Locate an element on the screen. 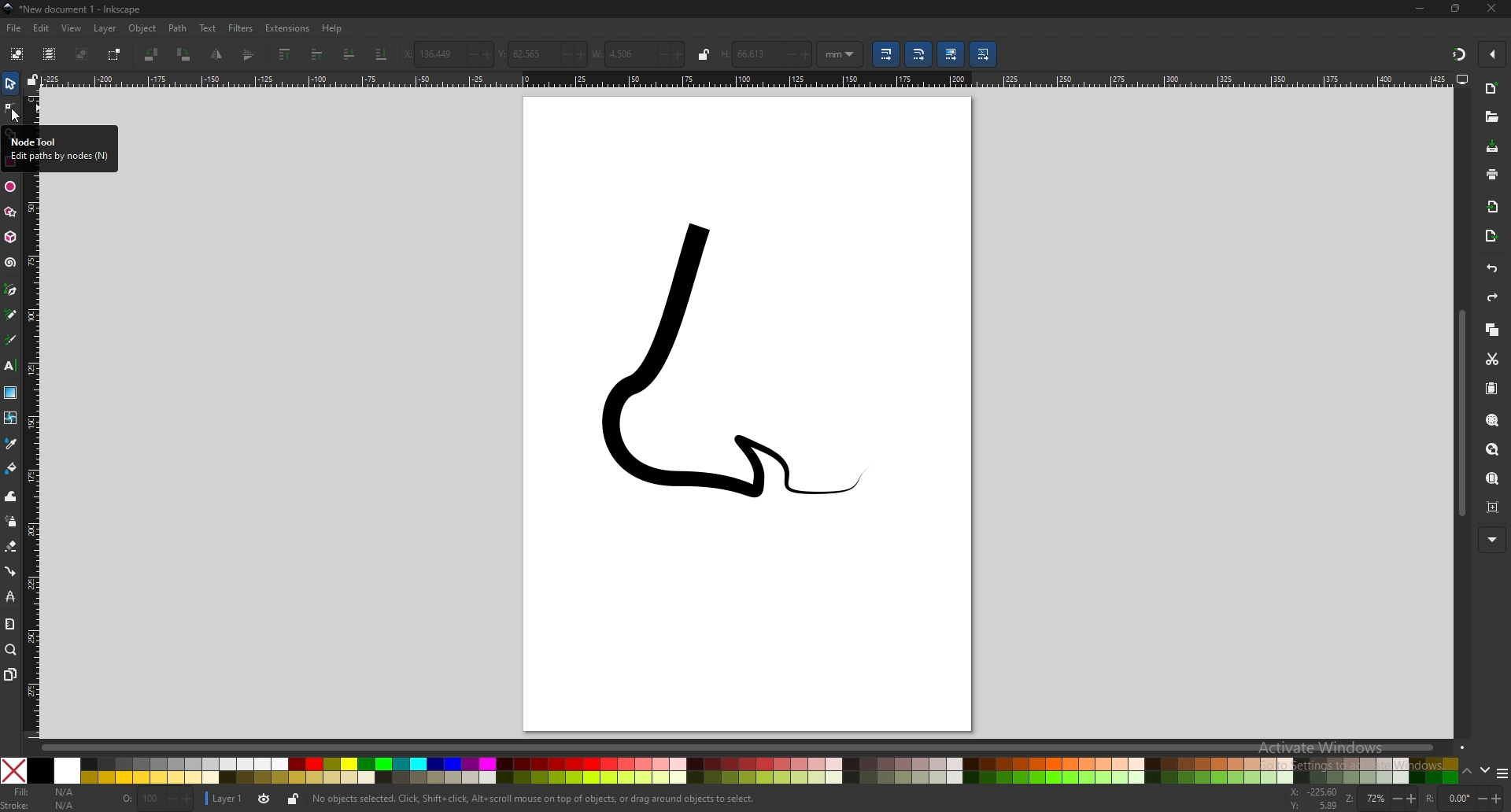 This screenshot has height=812, width=1511. pencil is located at coordinates (11, 316).